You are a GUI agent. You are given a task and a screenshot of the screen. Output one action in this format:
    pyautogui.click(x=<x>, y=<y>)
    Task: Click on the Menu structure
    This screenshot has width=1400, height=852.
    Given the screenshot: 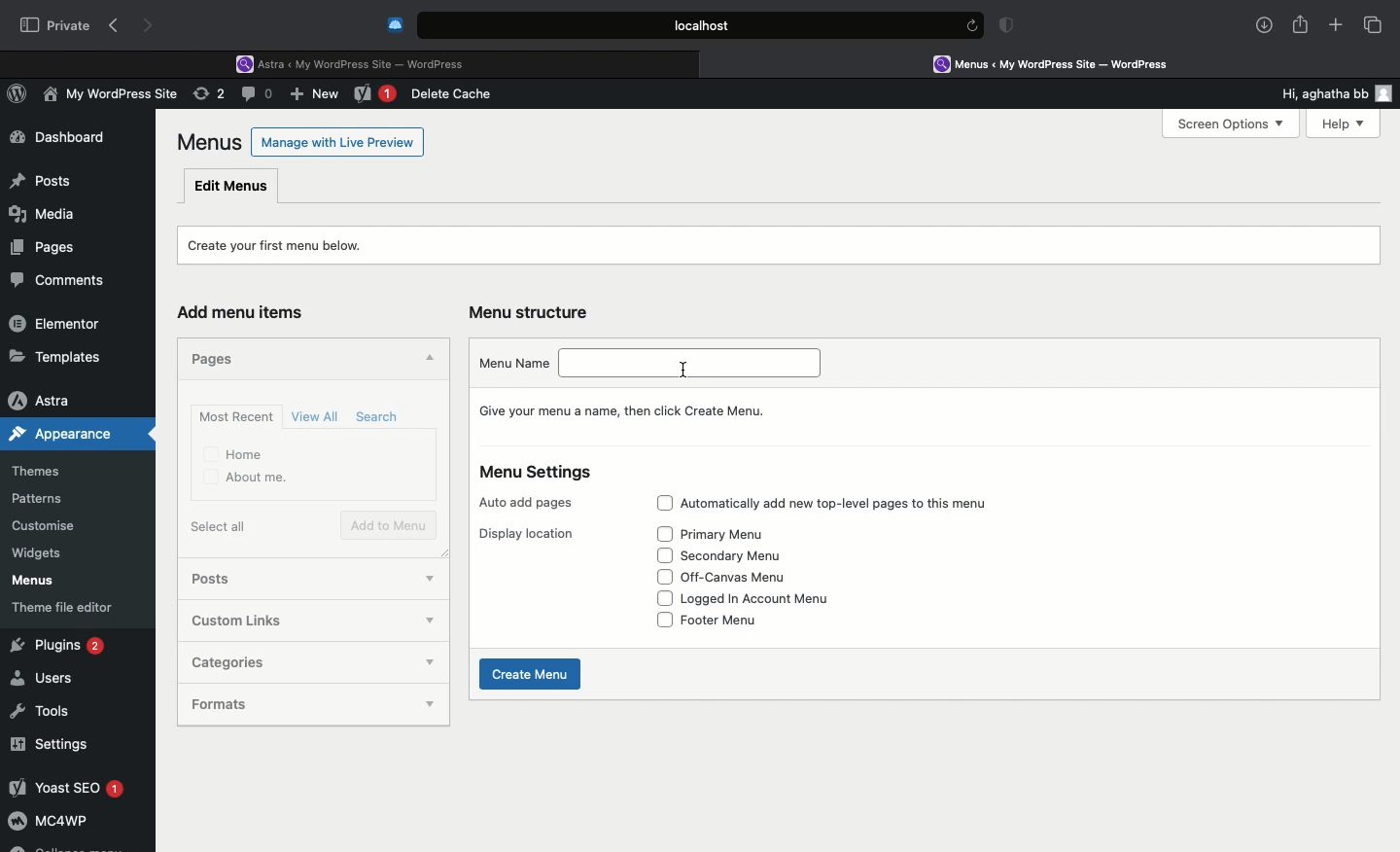 What is the action you would take?
    pyautogui.click(x=533, y=312)
    